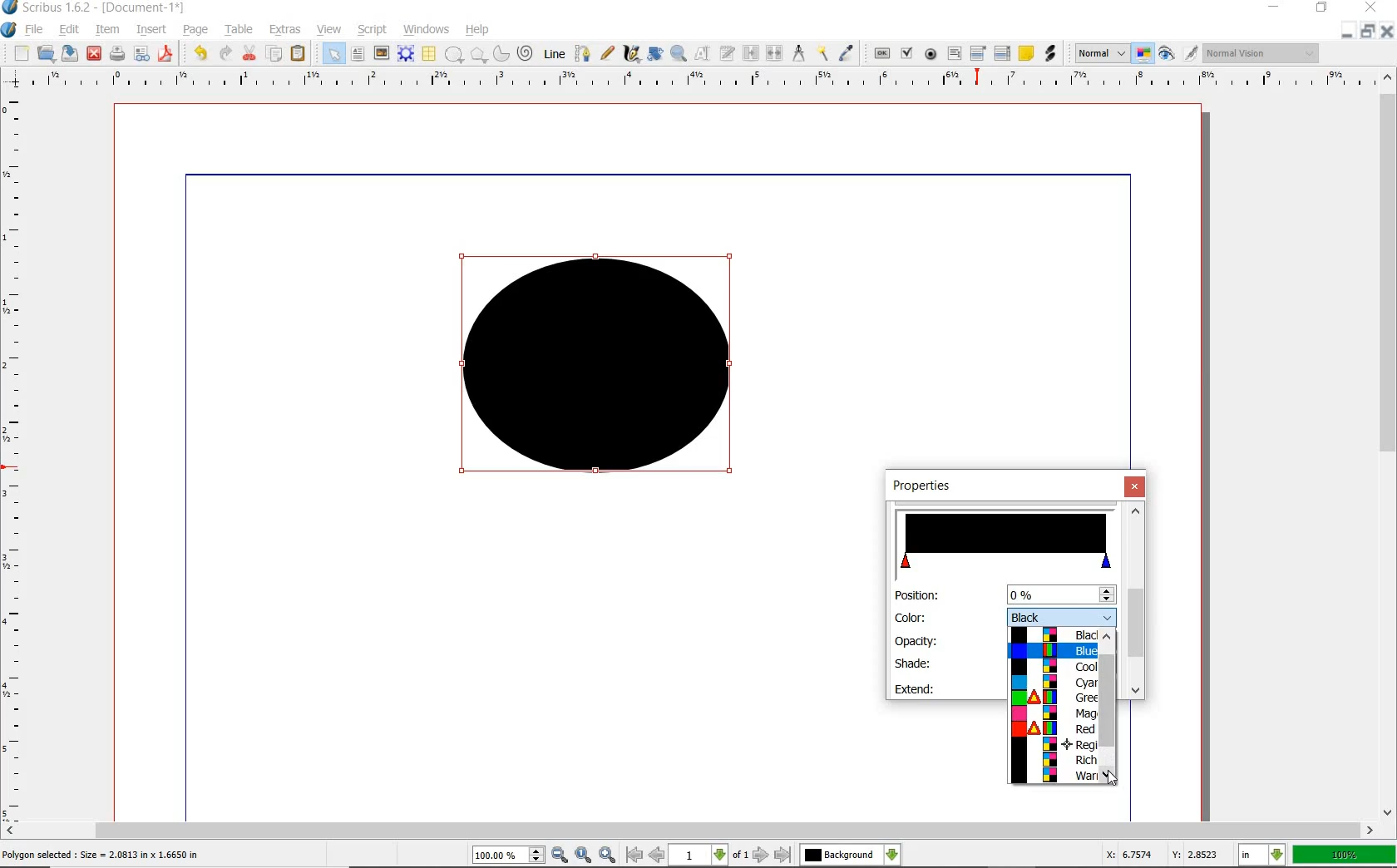 Image resolution: width=1397 pixels, height=868 pixels. What do you see at coordinates (1054, 706) in the screenshot?
I see `color palette` at bounding box center [1054, 706].